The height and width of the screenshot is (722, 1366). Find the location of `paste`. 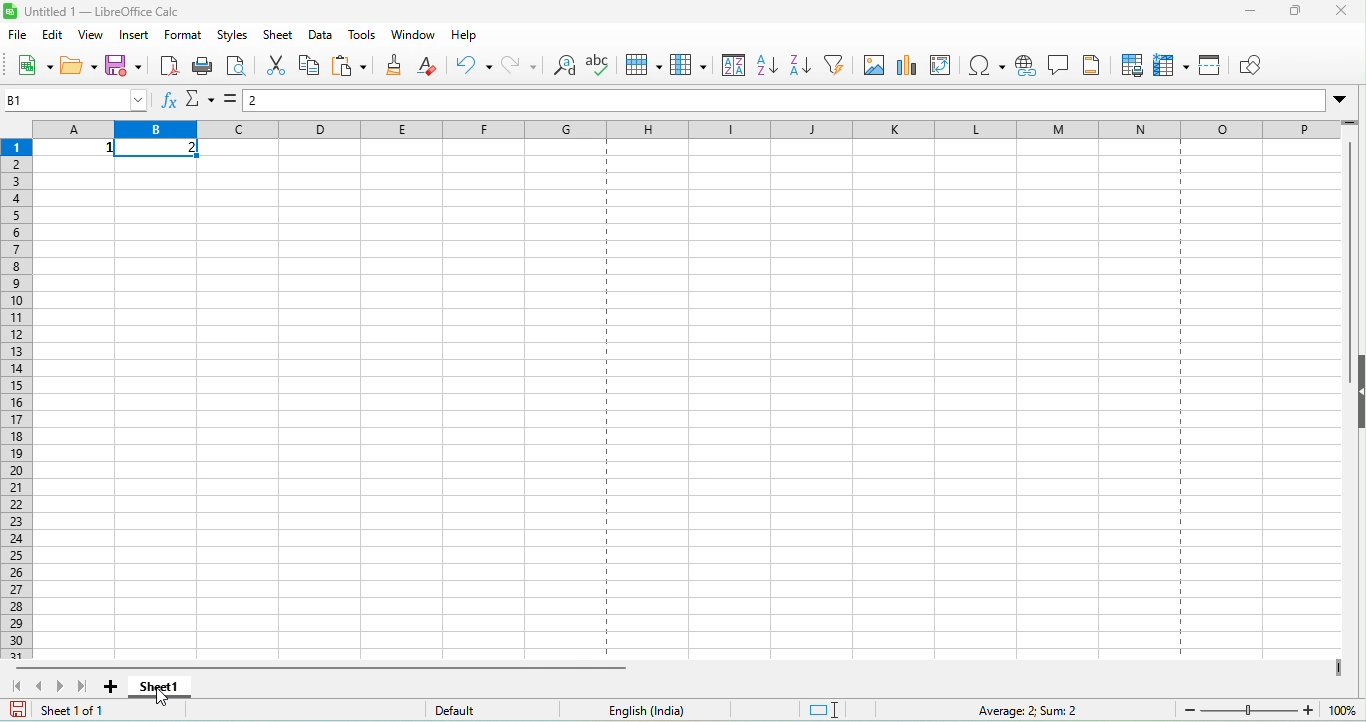

paste is located at coordinates (350, 65).